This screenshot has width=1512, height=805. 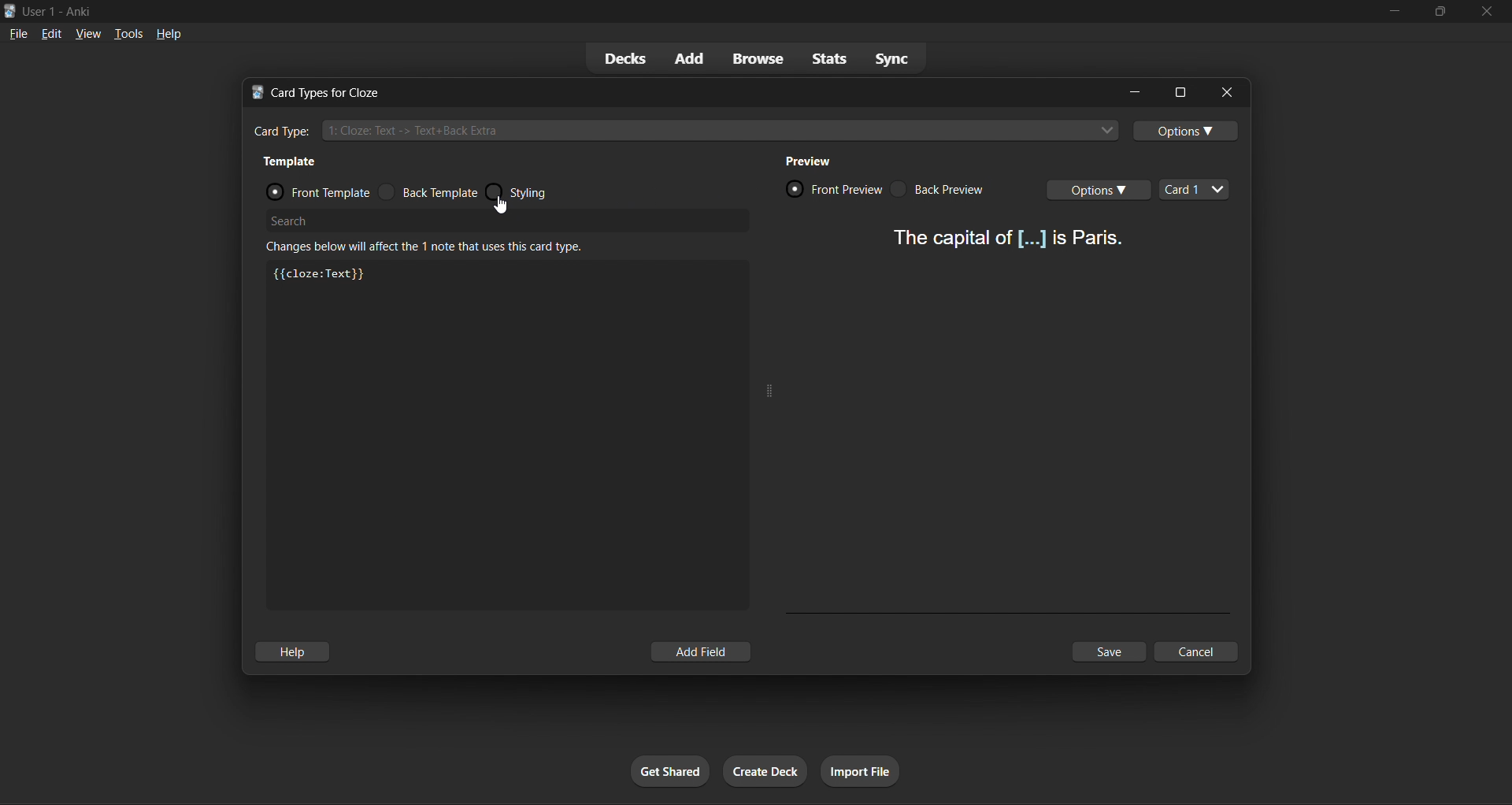 What do you see at coordinates (51, 33) in the screenshot?
I see `edit` at bounding box center [51, 33].